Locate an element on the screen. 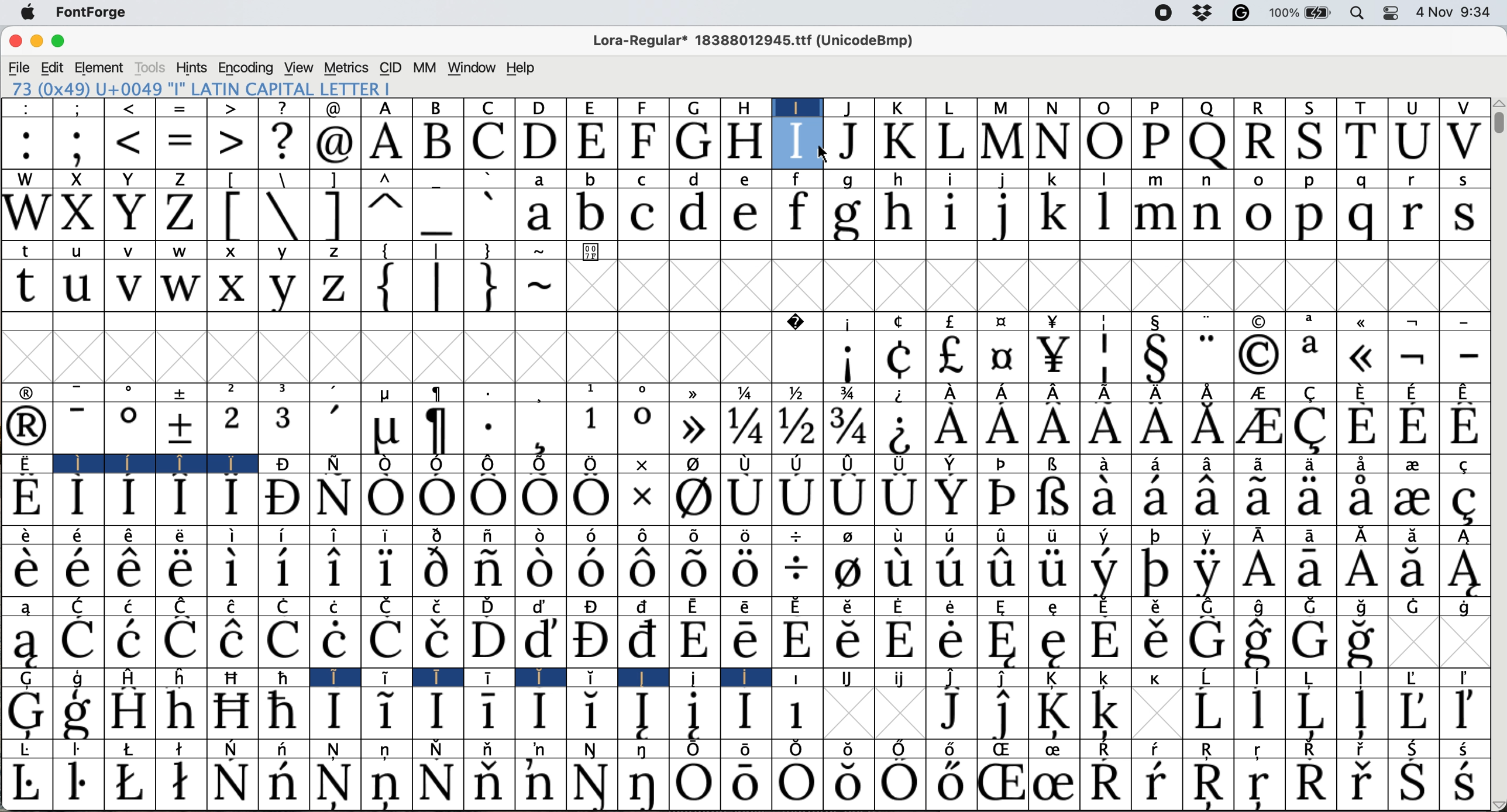 The height and width of the screenshot is (812, 1507). Symbol is located at coordinates (1360, 499).